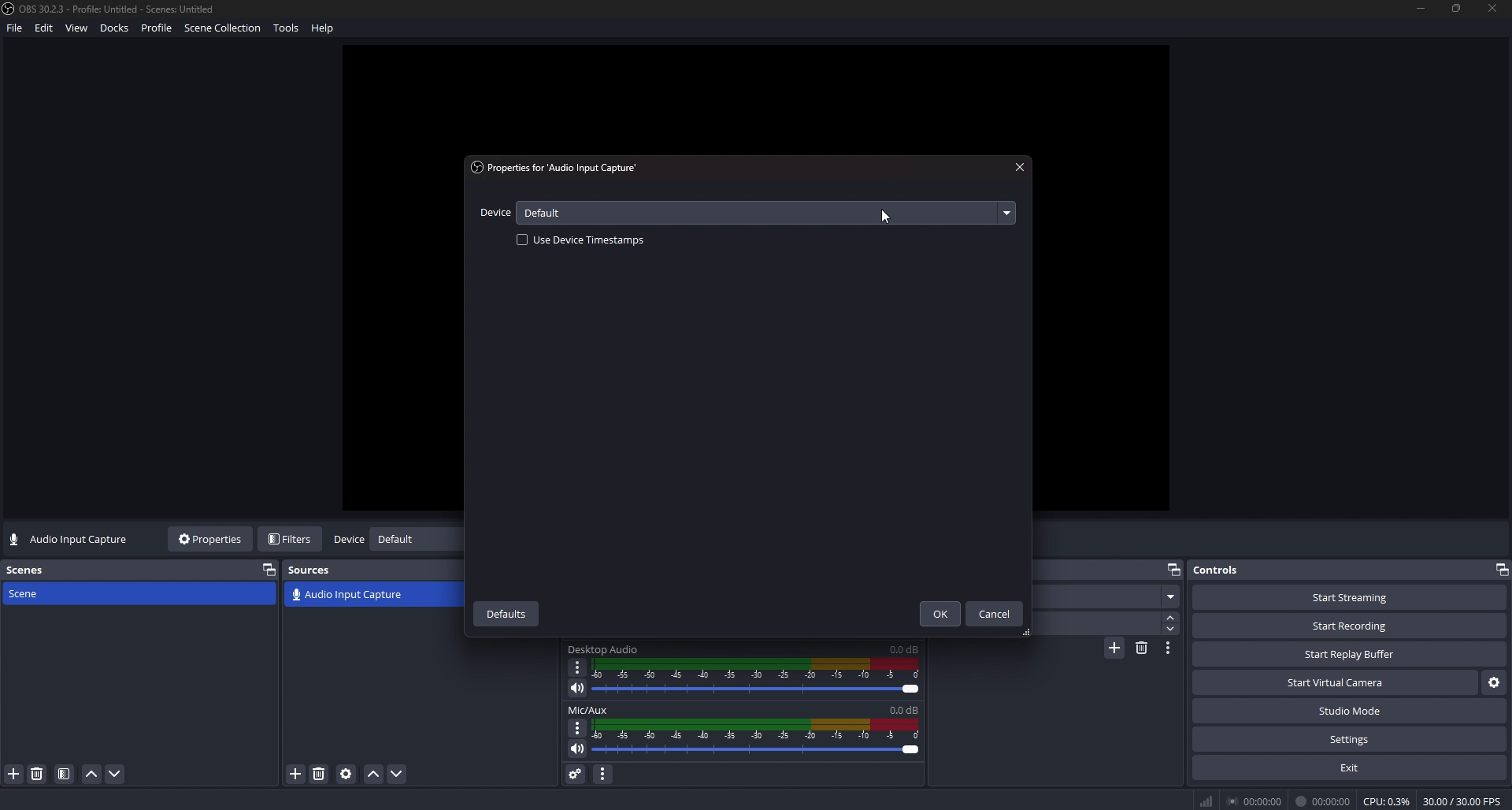 The width and height of the screenshot is (1512, 810). I want to click on sources, so click(317, 570).